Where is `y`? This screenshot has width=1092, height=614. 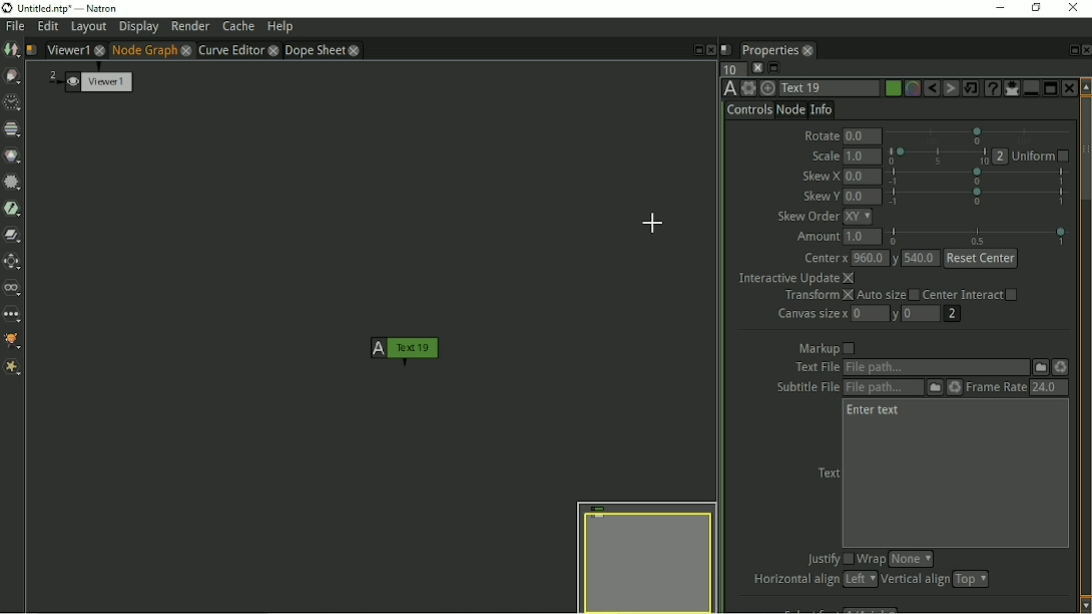
y is located at coordinates (893, 315).